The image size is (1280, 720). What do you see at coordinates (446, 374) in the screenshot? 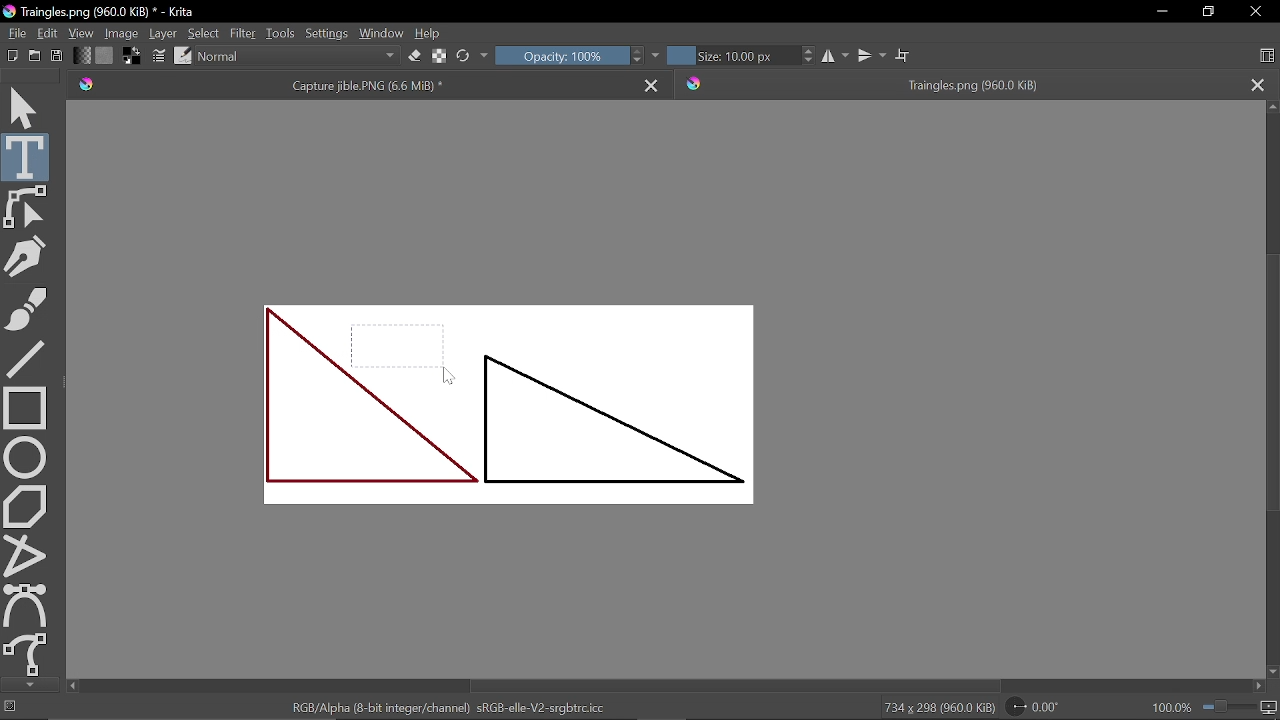
I see `Cursor` at bounding box center [446, 374].